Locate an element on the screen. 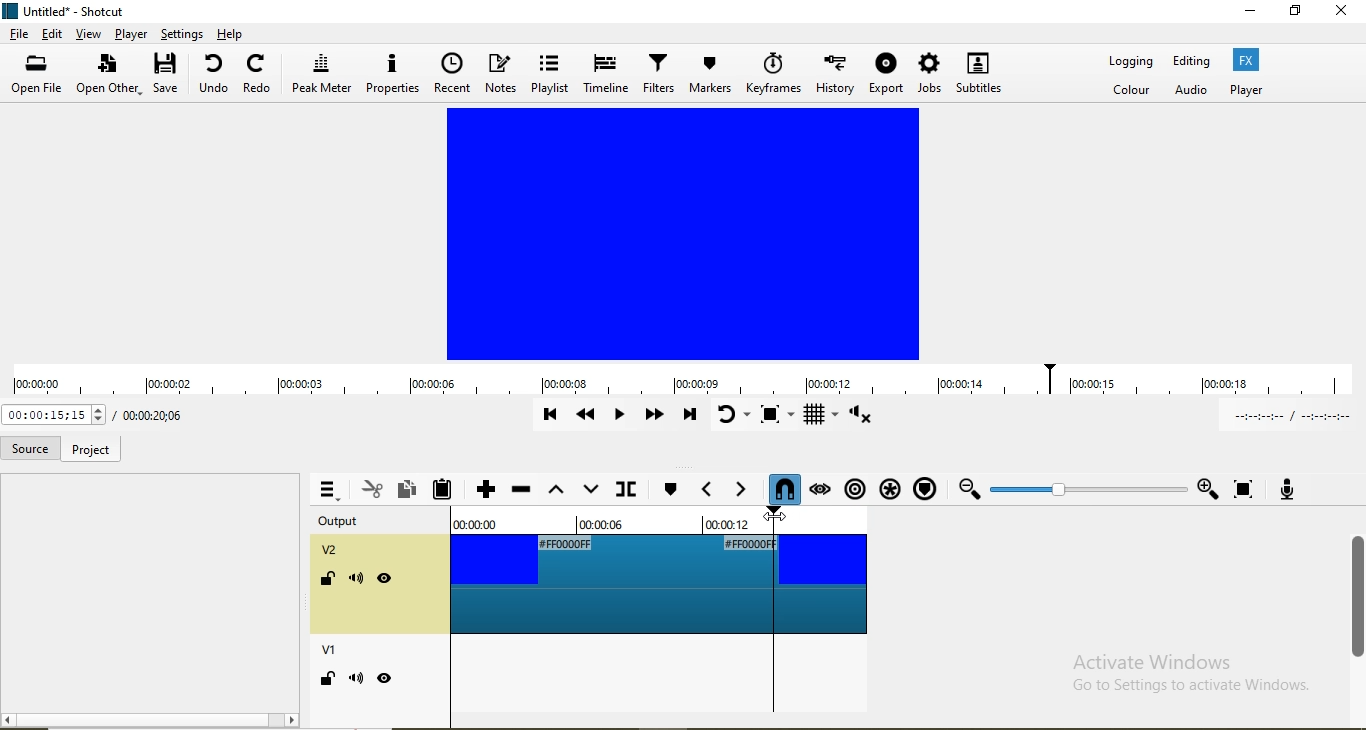 The image size is (1366, 730). Zoom timeline to fit is located at coordinates (1245, 489).